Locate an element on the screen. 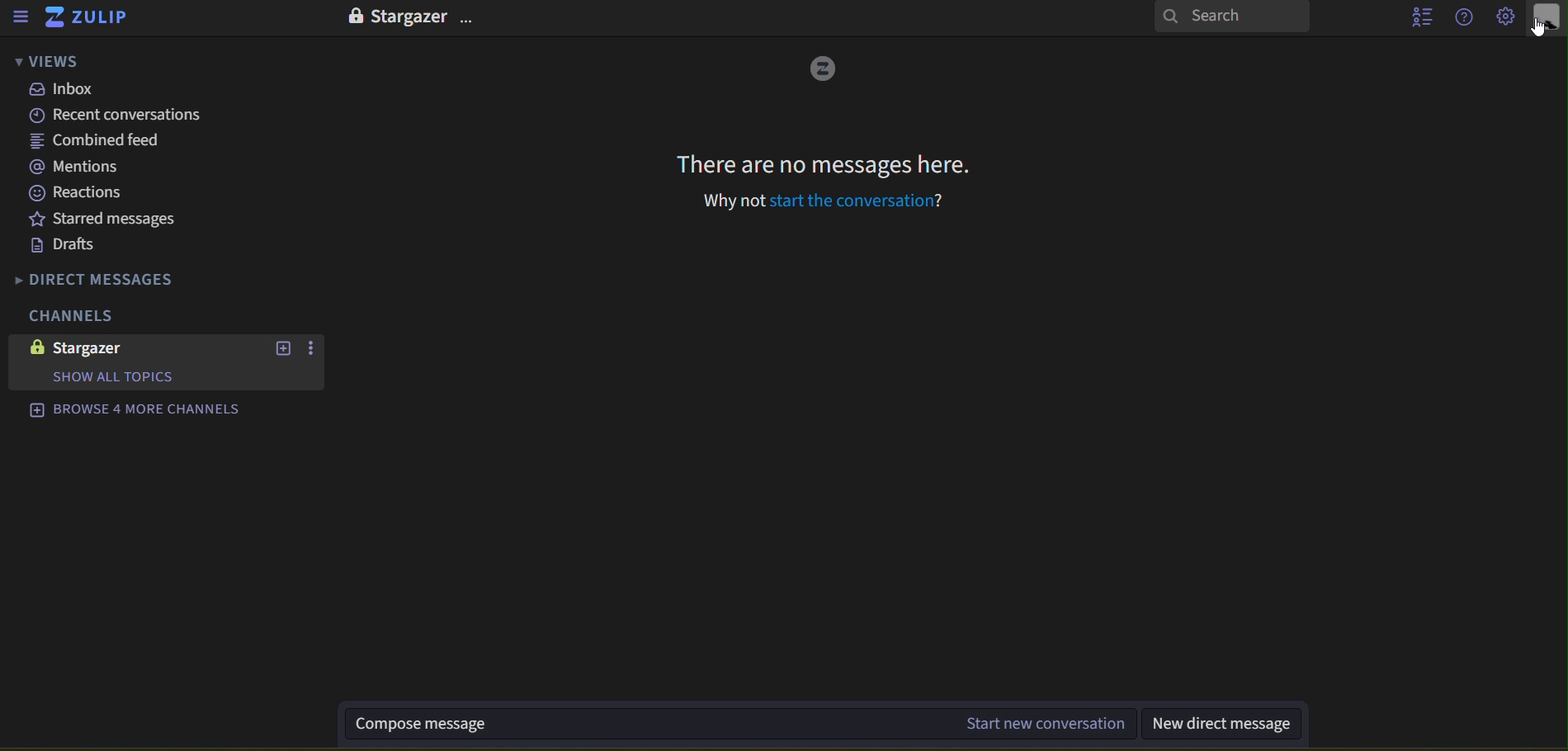  starred messages is located at coordinates (103, 219).